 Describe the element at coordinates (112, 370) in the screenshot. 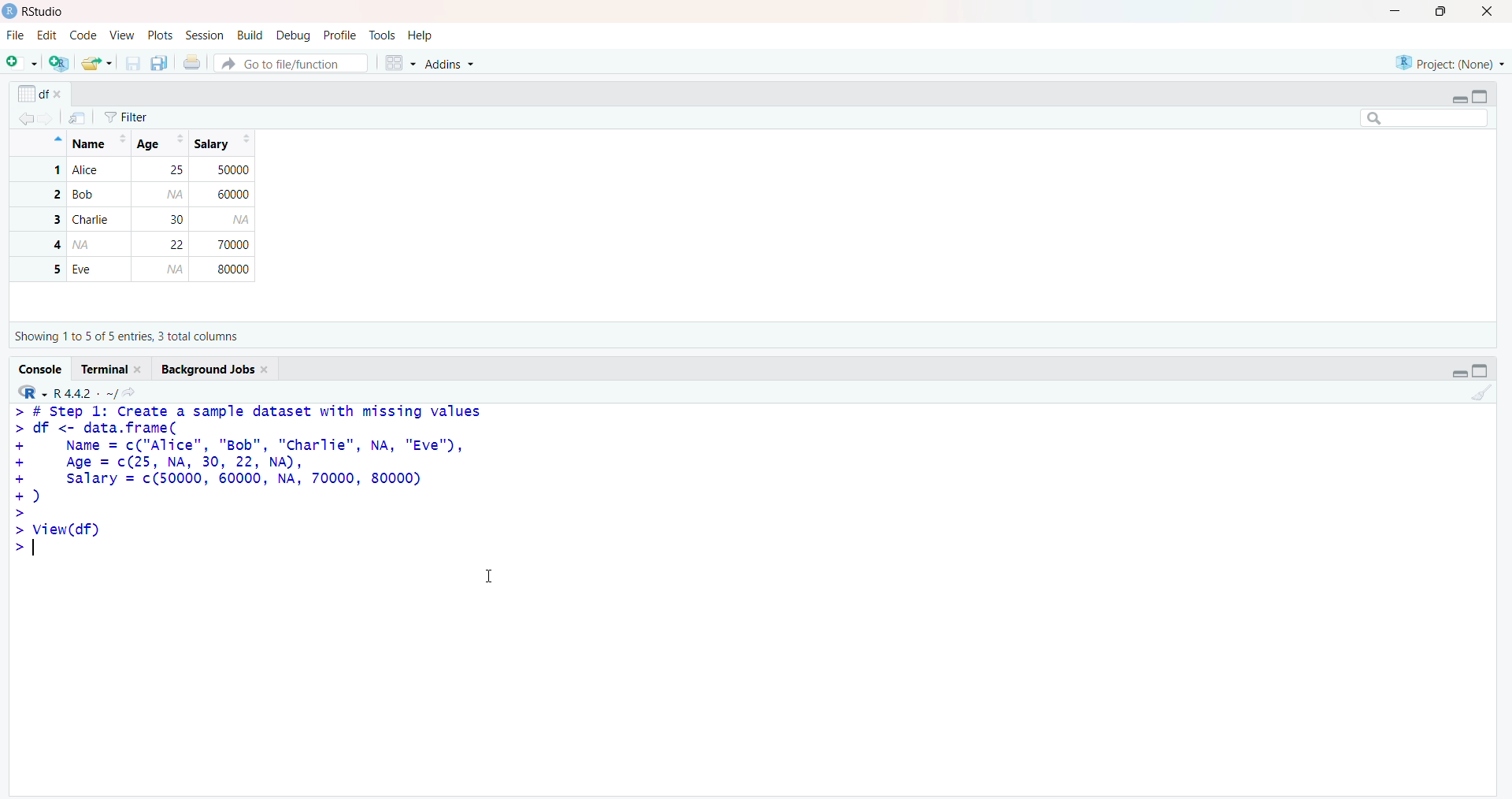

I see `Terminal` at that location.